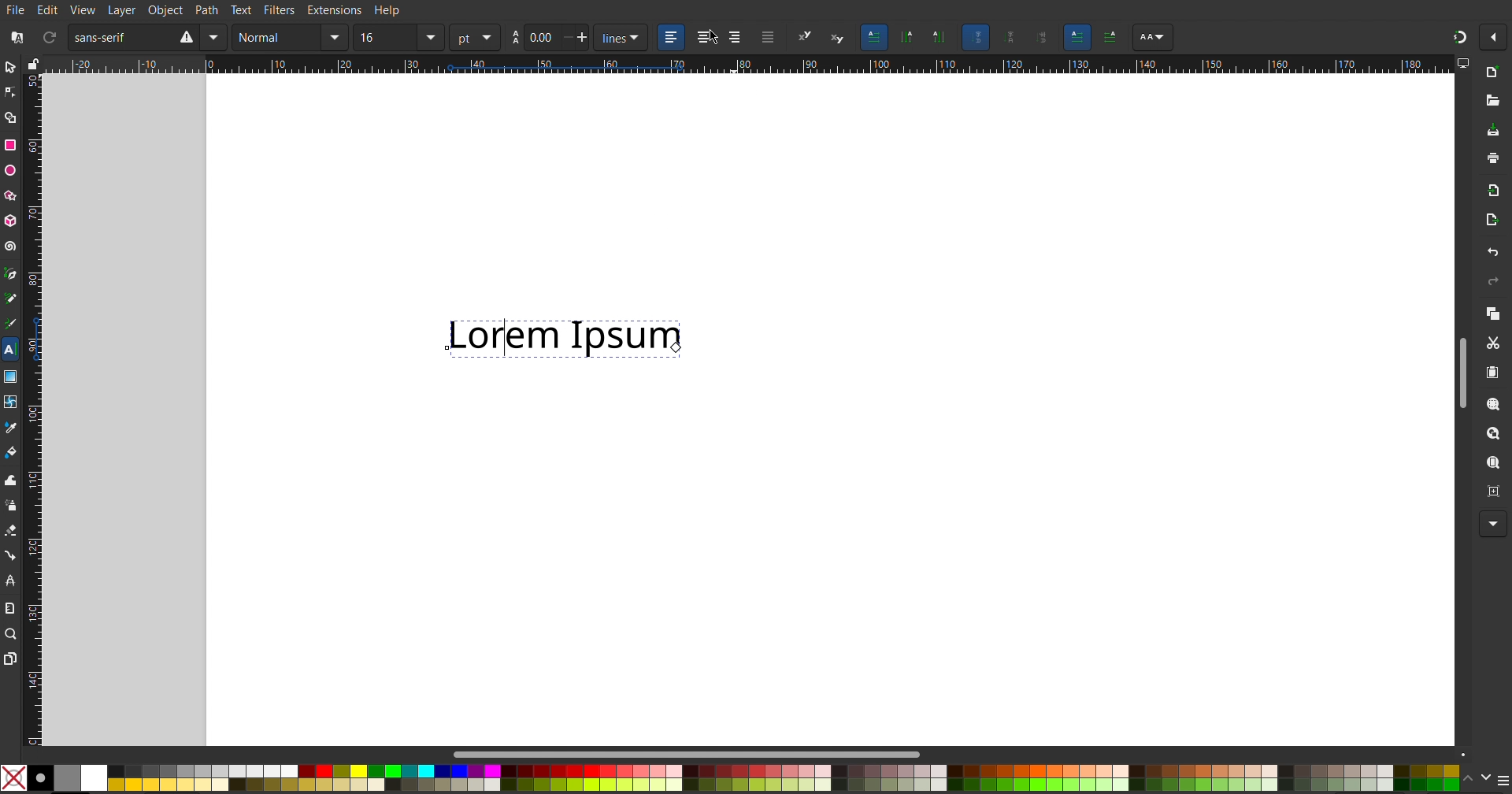 Image resolution: width=1512 pixels, height=794 pixels. Describe the element at coordinates (15, 323) in the screenshot. I see `Calligraphy Tool` at that location.